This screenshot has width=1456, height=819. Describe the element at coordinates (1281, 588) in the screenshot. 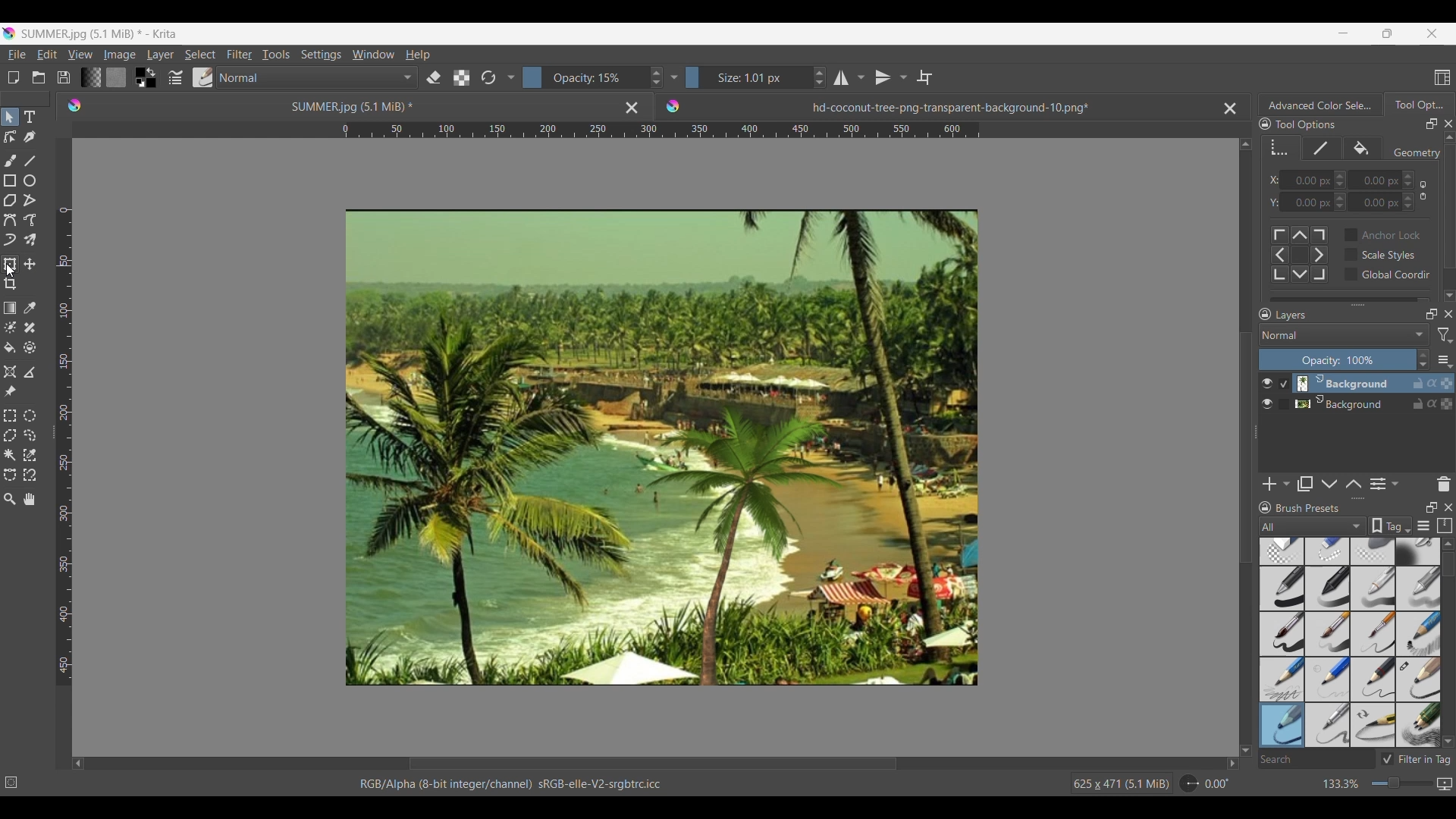

I see `basic1` at that location.